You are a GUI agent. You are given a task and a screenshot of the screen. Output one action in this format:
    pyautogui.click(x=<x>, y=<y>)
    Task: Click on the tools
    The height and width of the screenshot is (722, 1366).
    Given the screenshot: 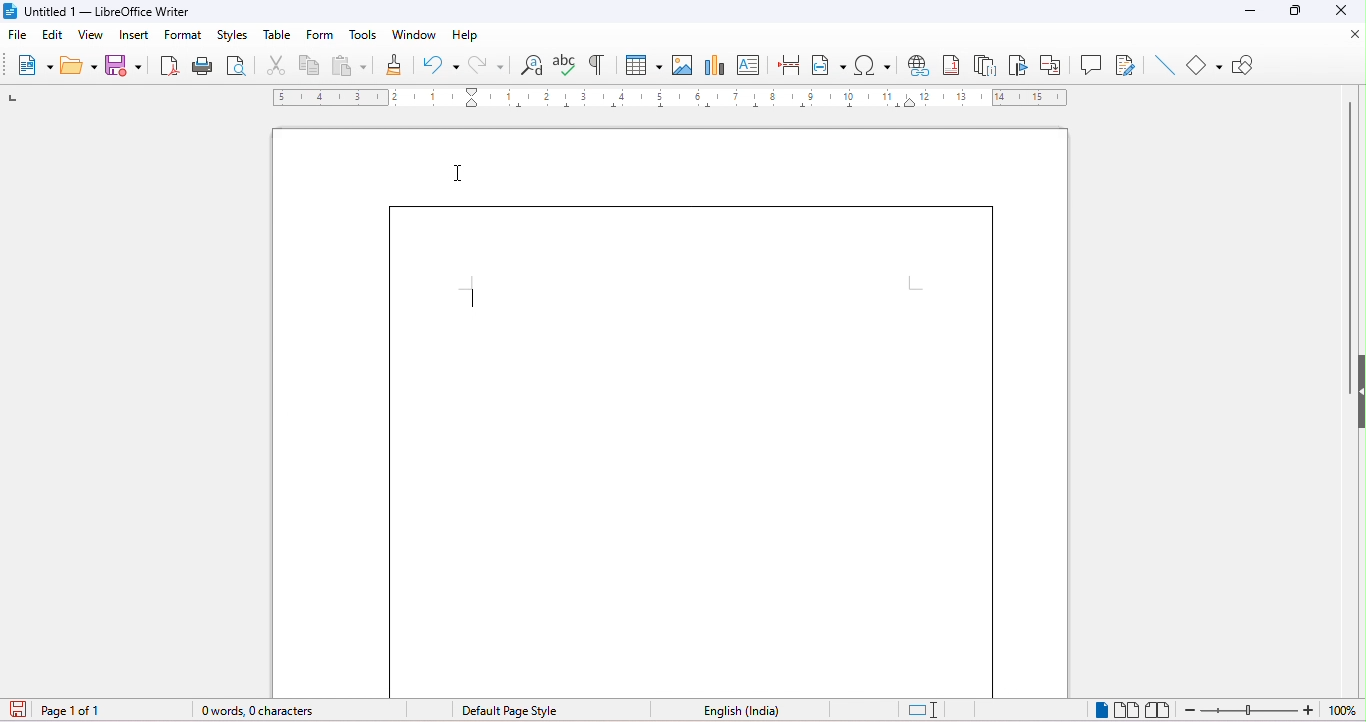 What is the action you would take?
    pyautogui.click(x=362, y=37)
    